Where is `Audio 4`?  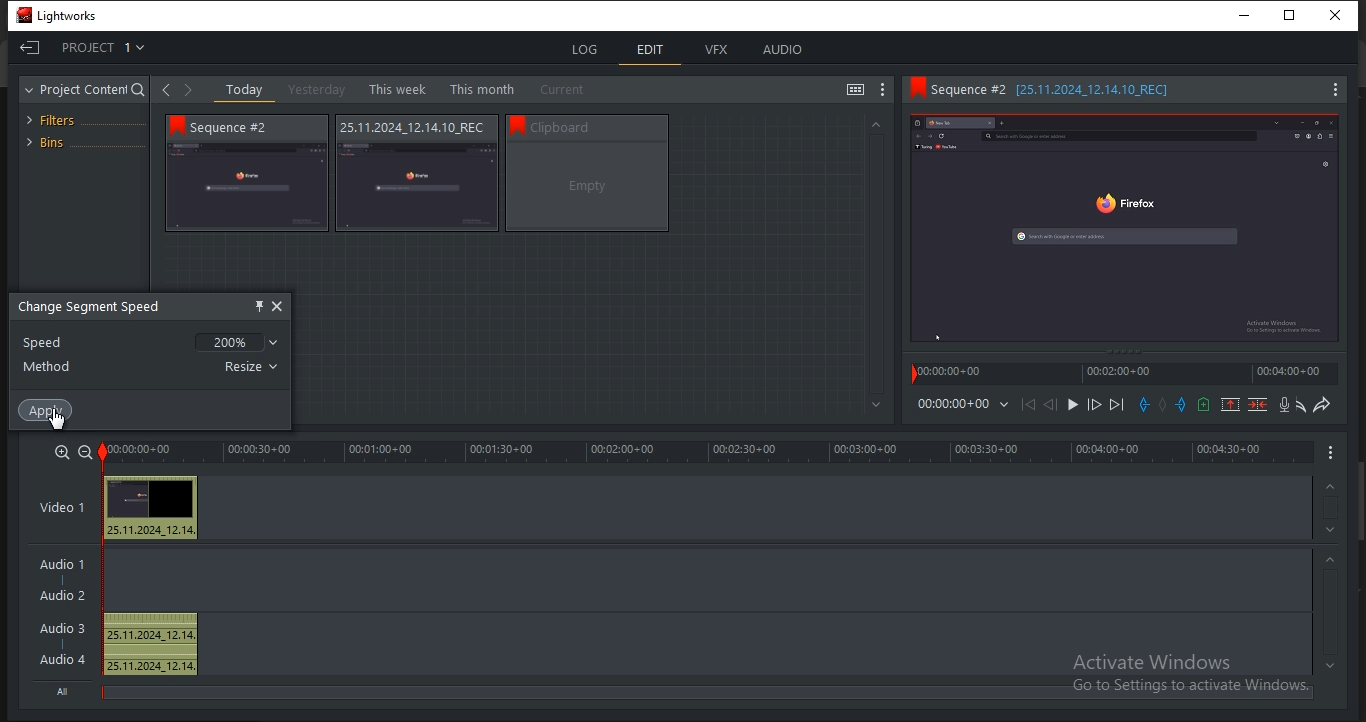
Audio 4 is located at coordinates (65, 660).